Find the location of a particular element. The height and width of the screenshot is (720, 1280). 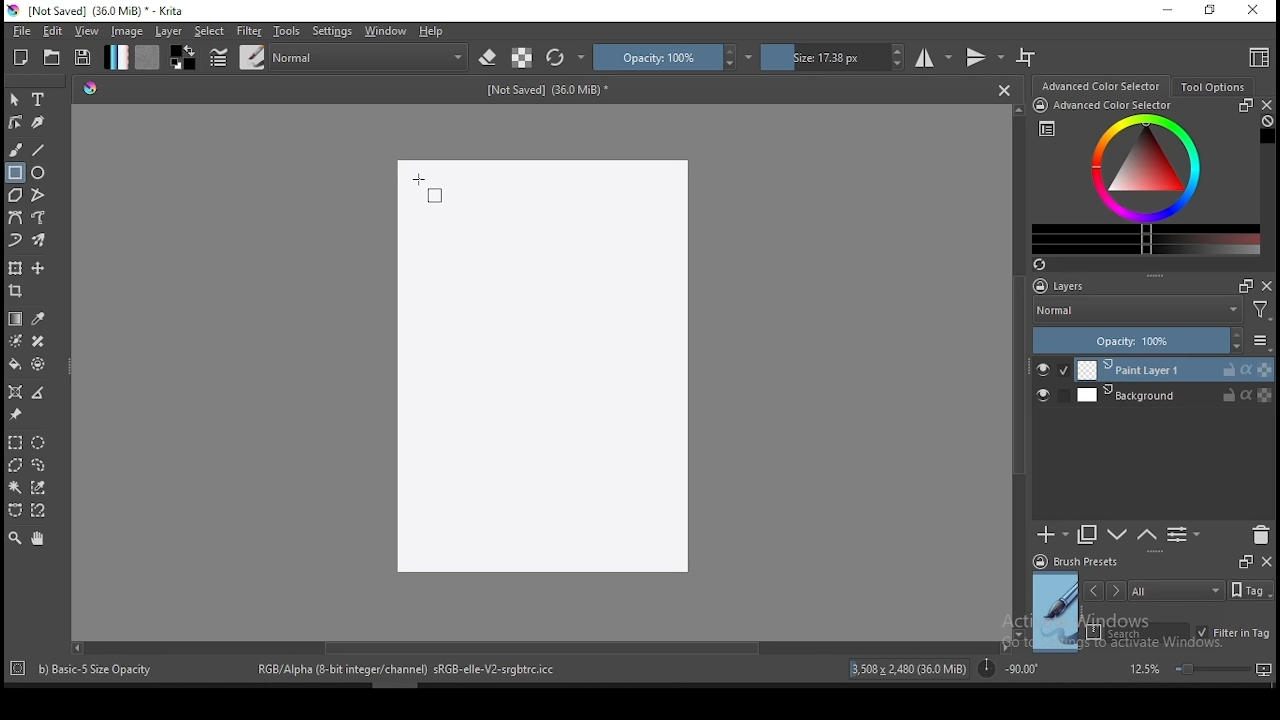

enclose and fill tool is located at coordinates (38, 364).